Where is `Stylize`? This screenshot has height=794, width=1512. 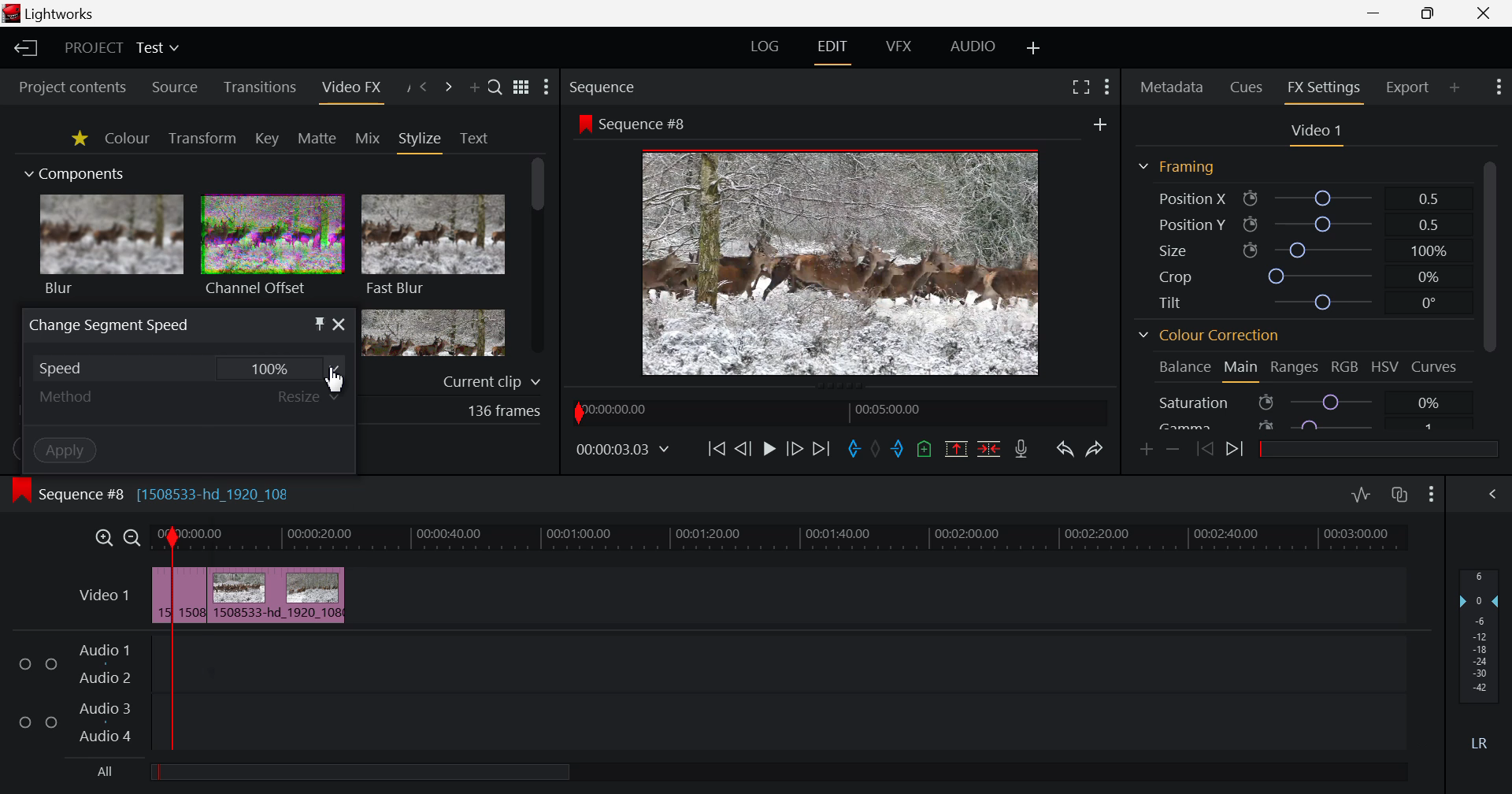
Stylize is located at coordinates (421, 141).